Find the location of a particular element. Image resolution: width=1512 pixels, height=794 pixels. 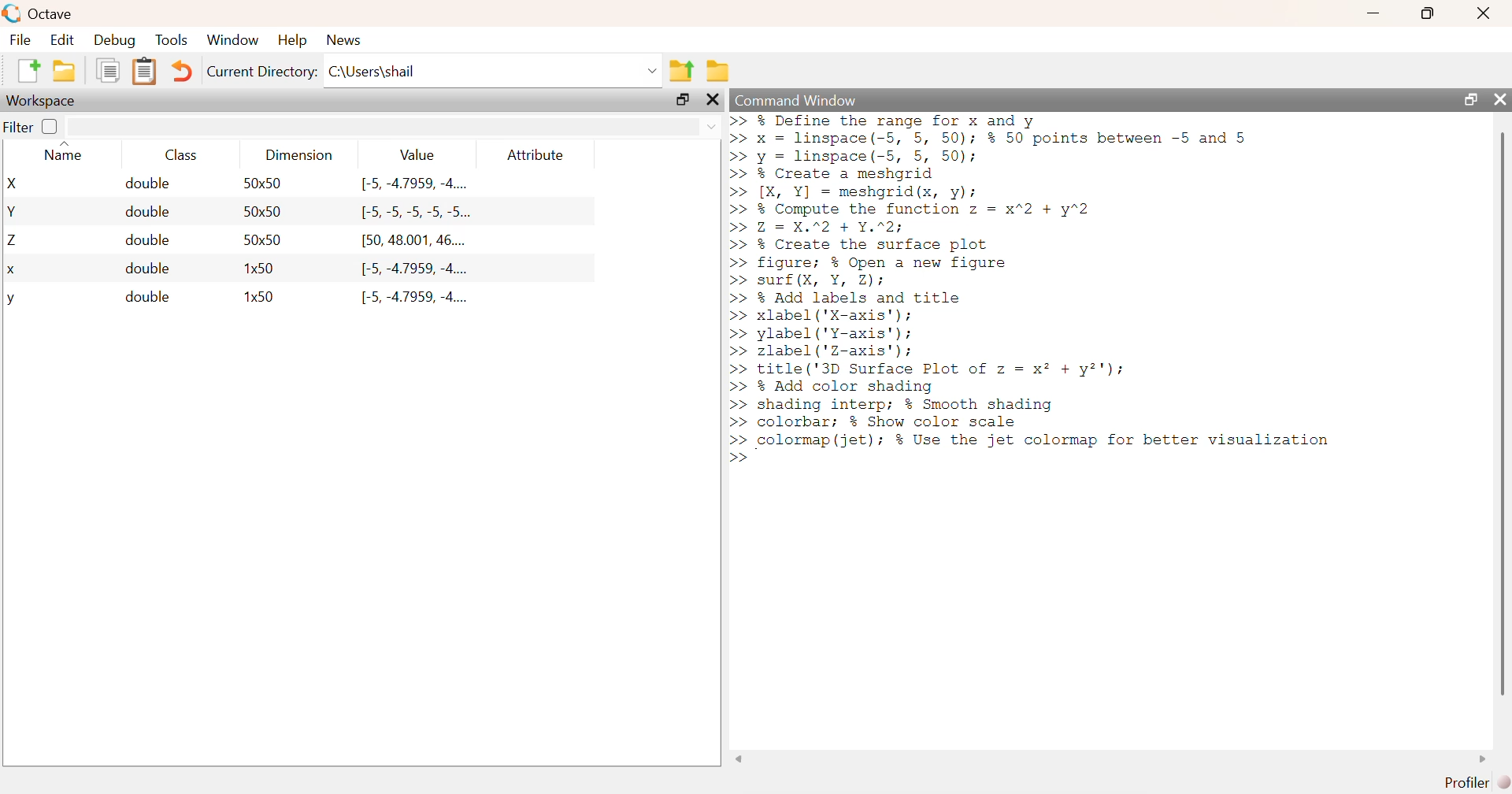

[-5, 5, -5, 5, -5... is located at coordinates (417, 213).